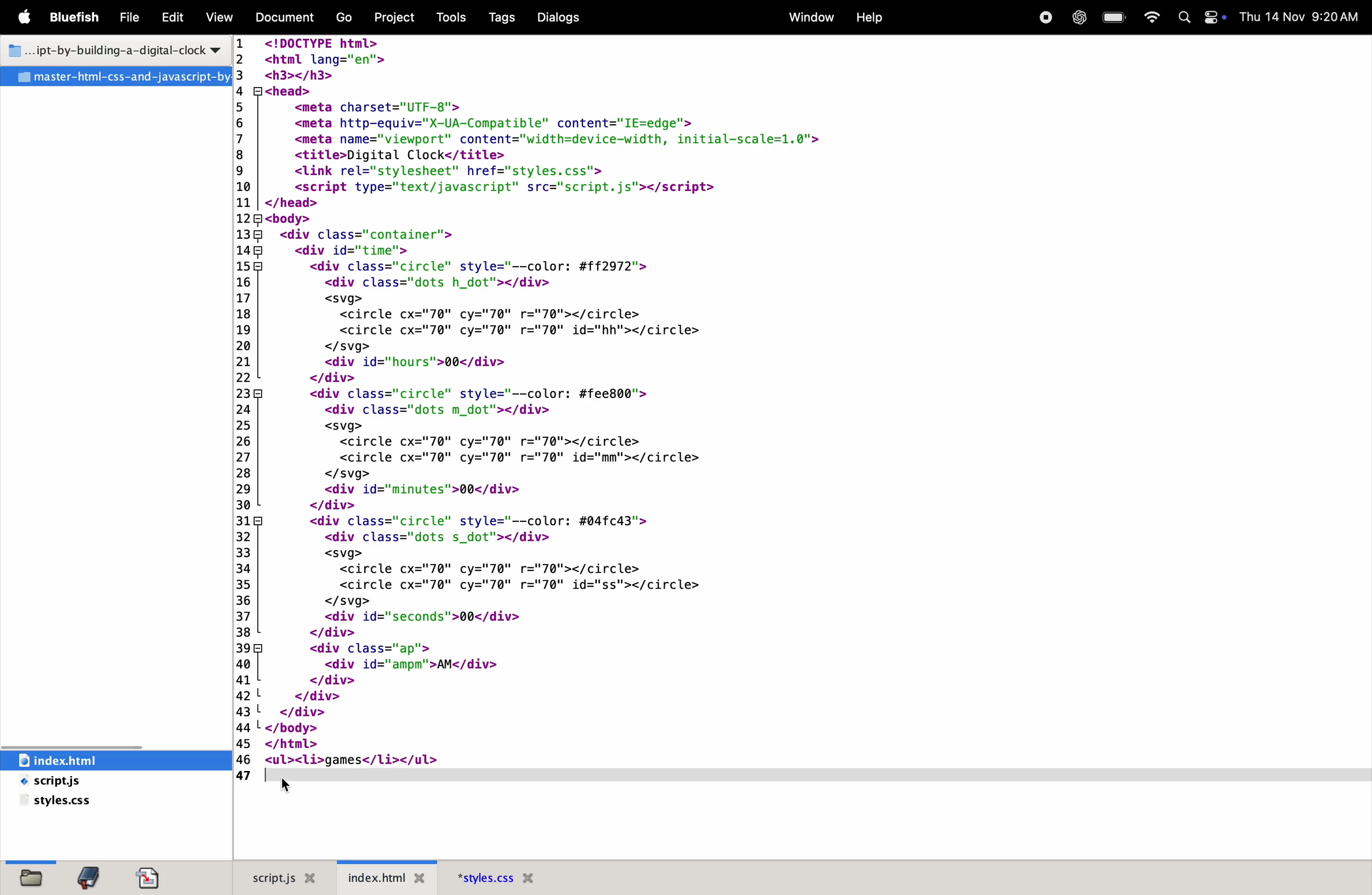  Describe the element at coordinates (499, 17) in the screenshot. I see `Tags` at that location.